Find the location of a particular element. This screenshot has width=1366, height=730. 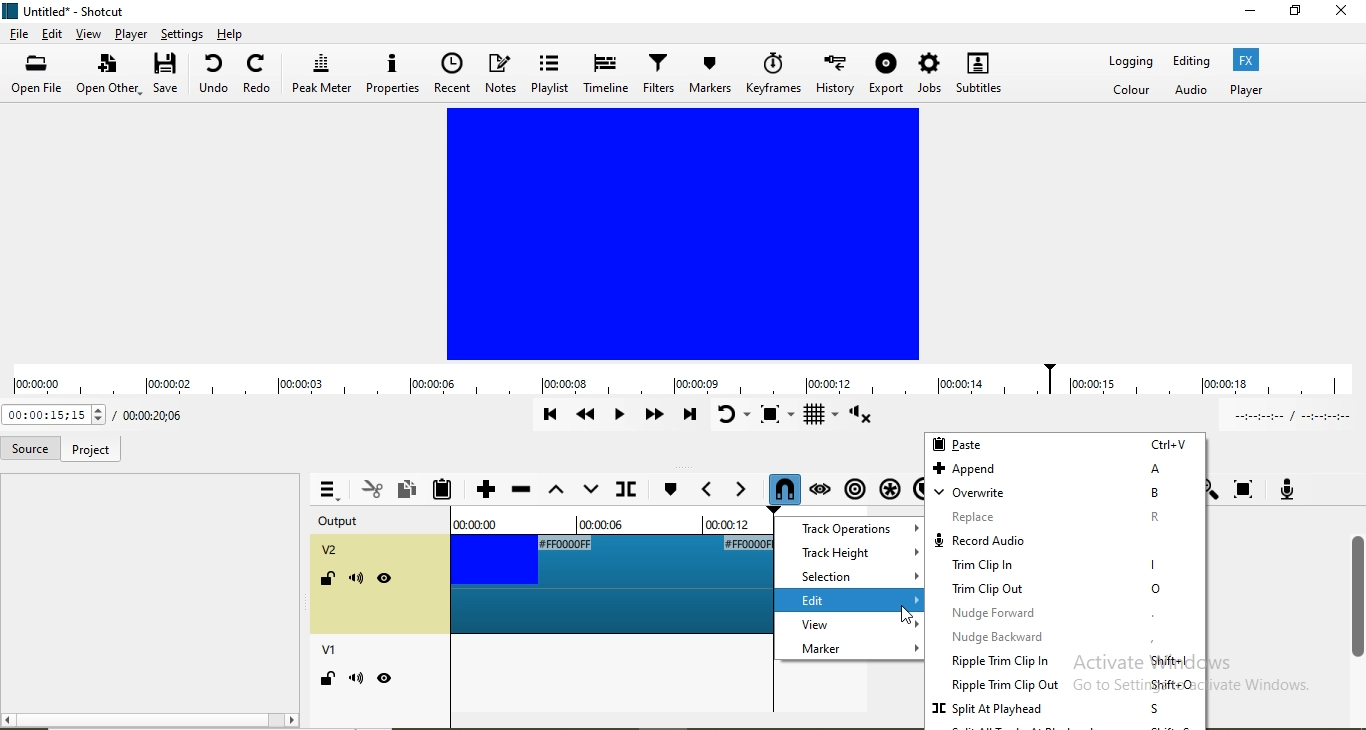

peak meter is located at coordinates (322, 74).